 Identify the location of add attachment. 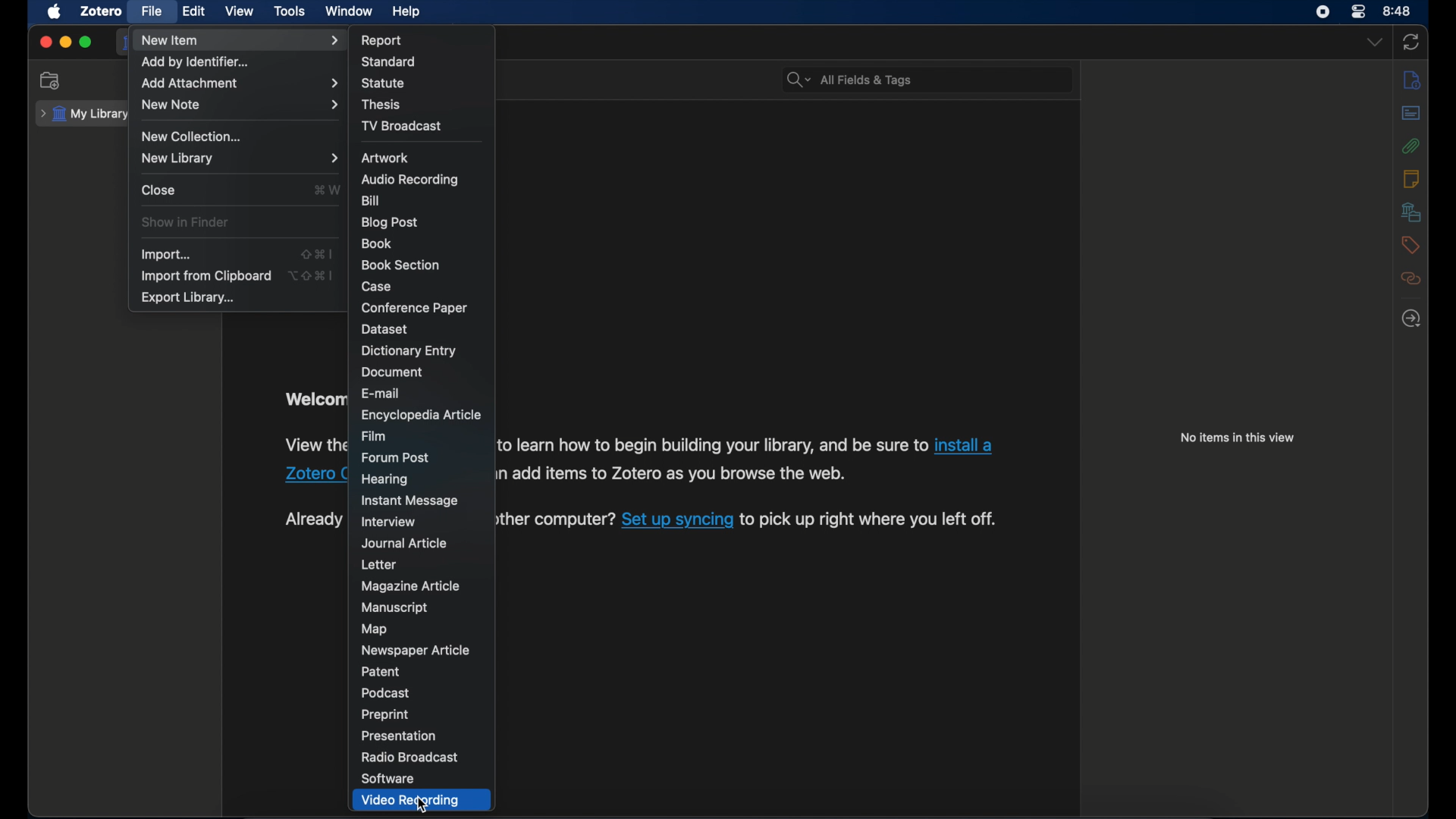
(240, 84).